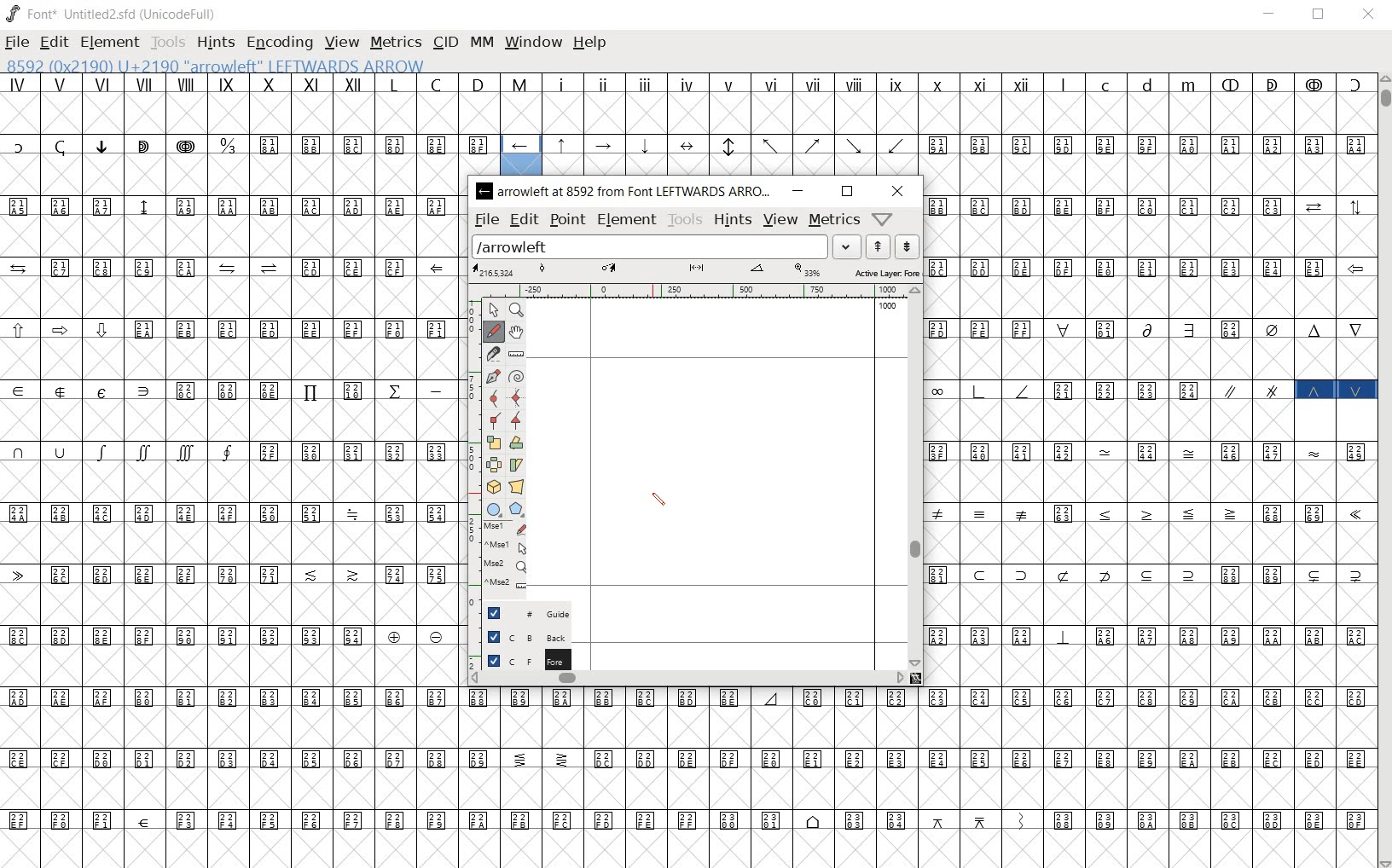 Image resolution: width=1392 pixels, height=868 pixels. I want to click on cursor events on the opened outline window, so click(500, 558).